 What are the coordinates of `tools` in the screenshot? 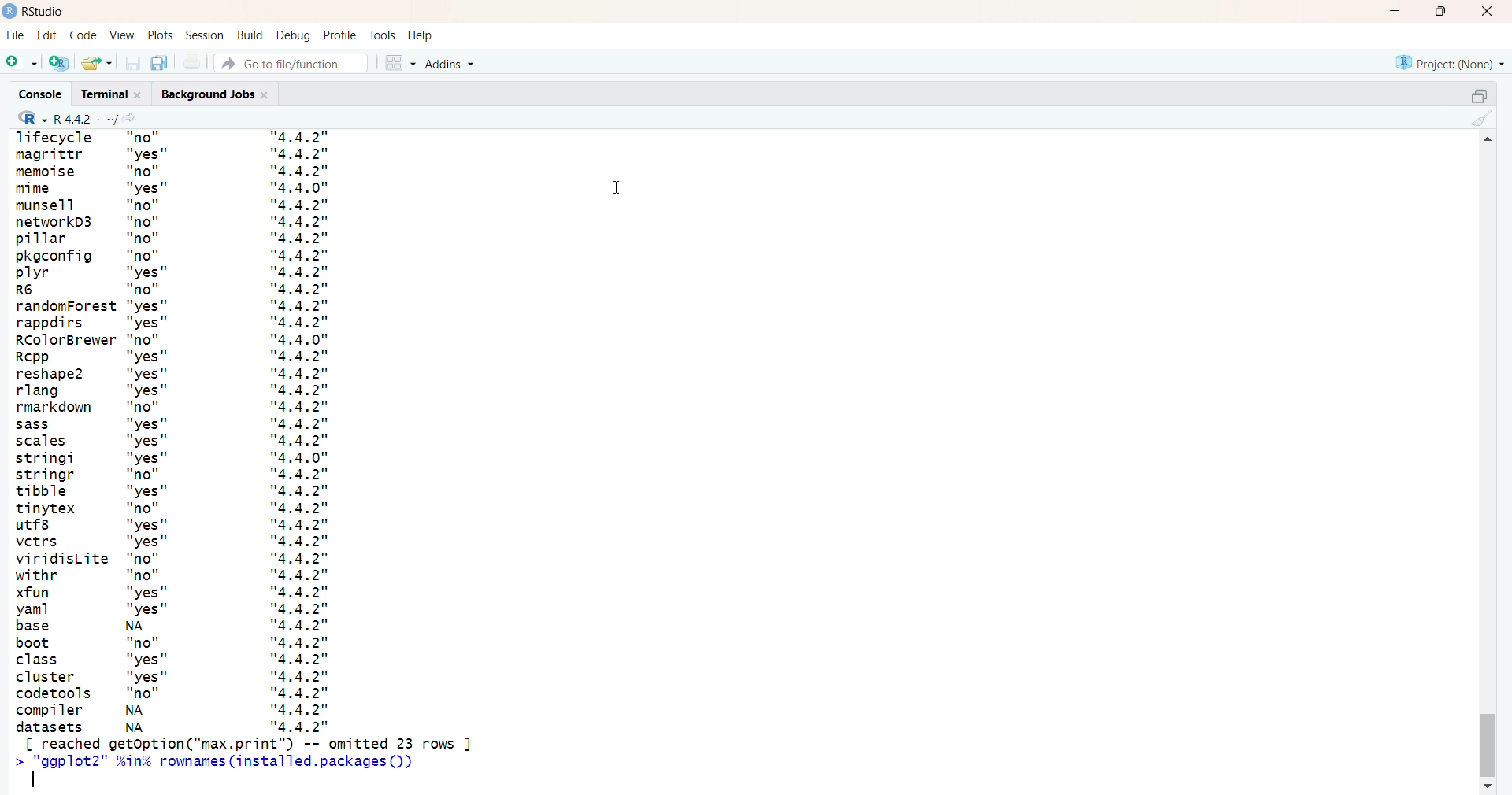 It's located at (382, 35).